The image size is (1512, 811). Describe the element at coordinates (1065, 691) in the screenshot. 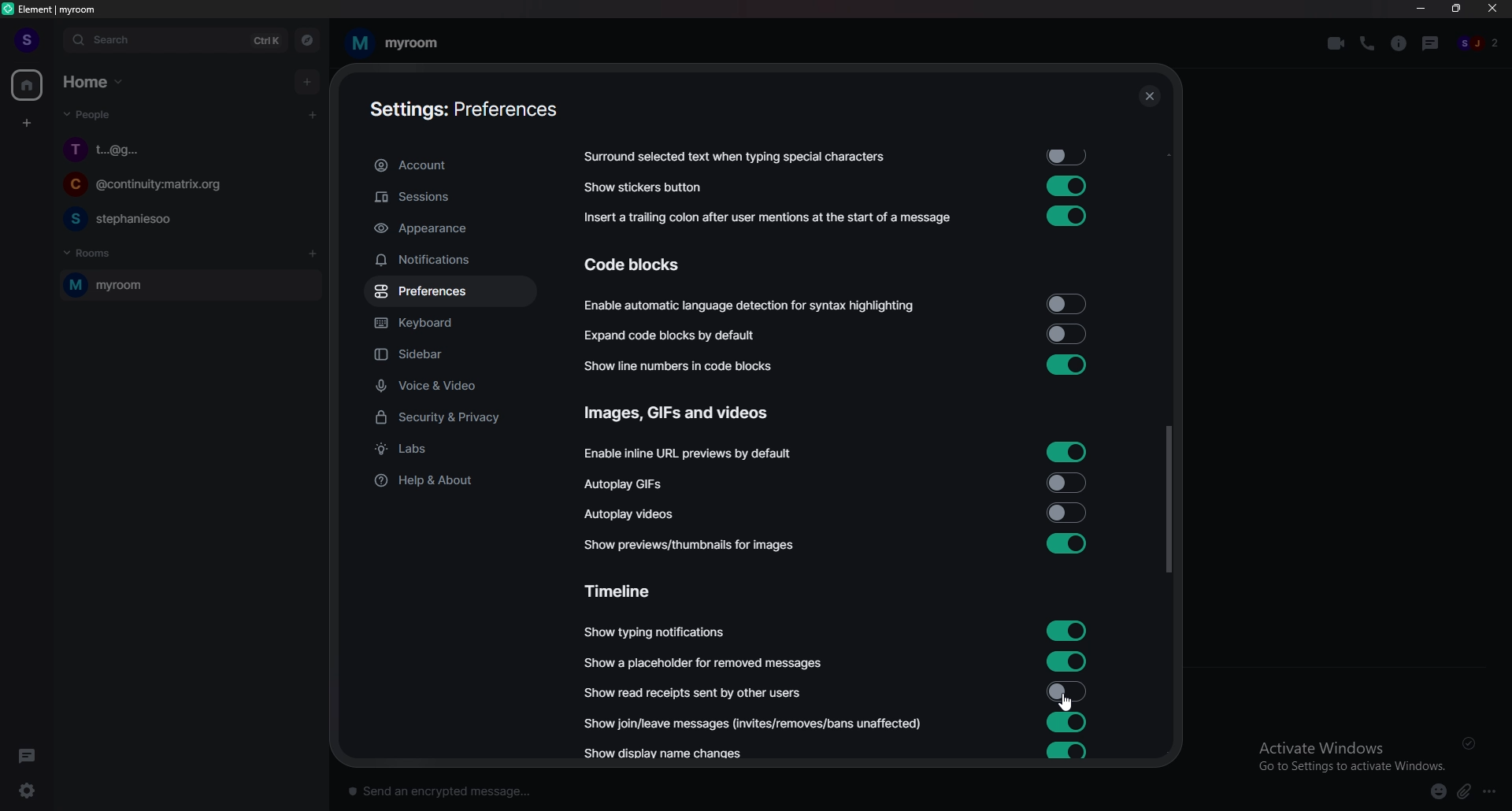

I see `toggle` at that location.